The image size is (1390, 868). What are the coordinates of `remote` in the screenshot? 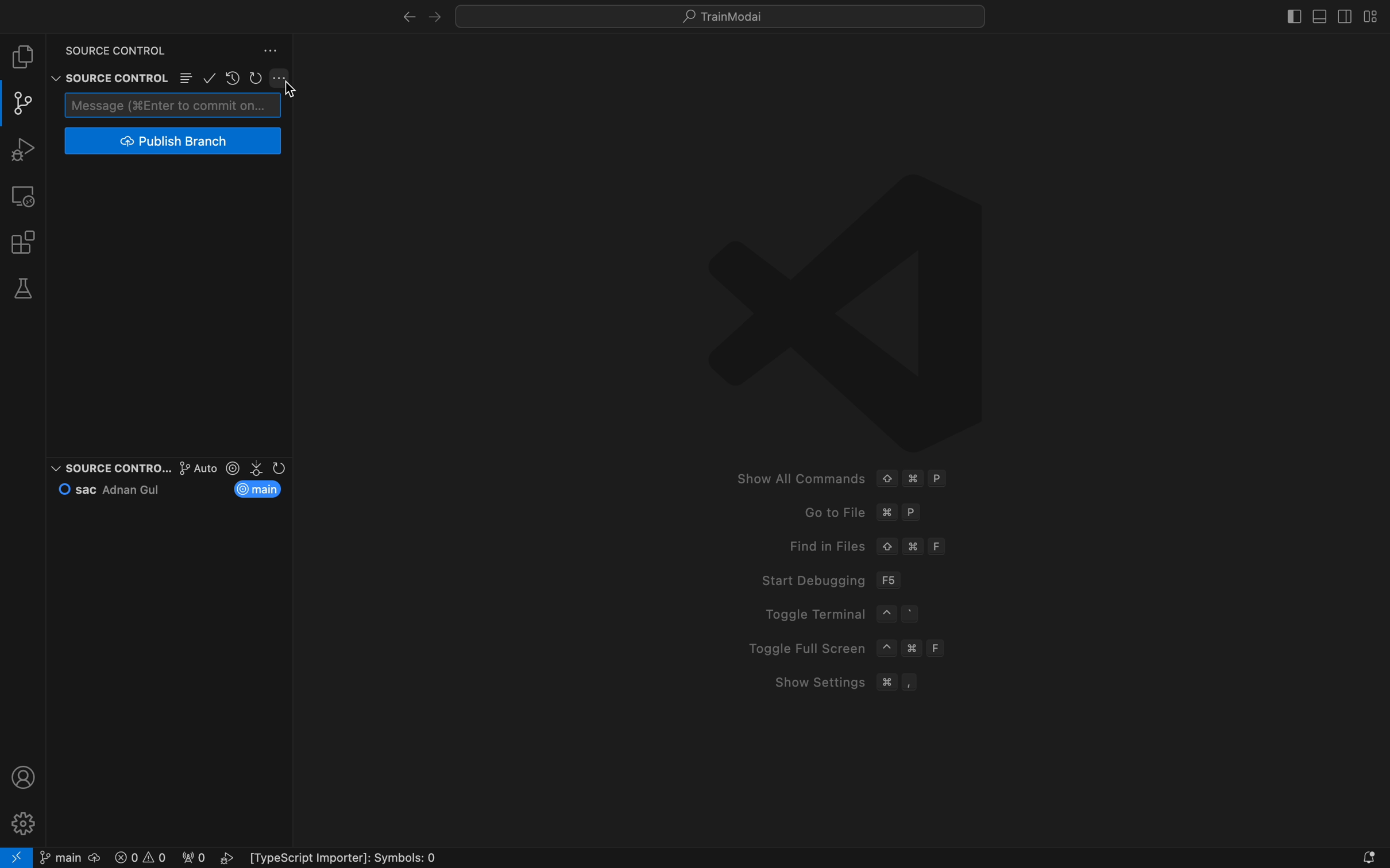 It's located at (26, 195).